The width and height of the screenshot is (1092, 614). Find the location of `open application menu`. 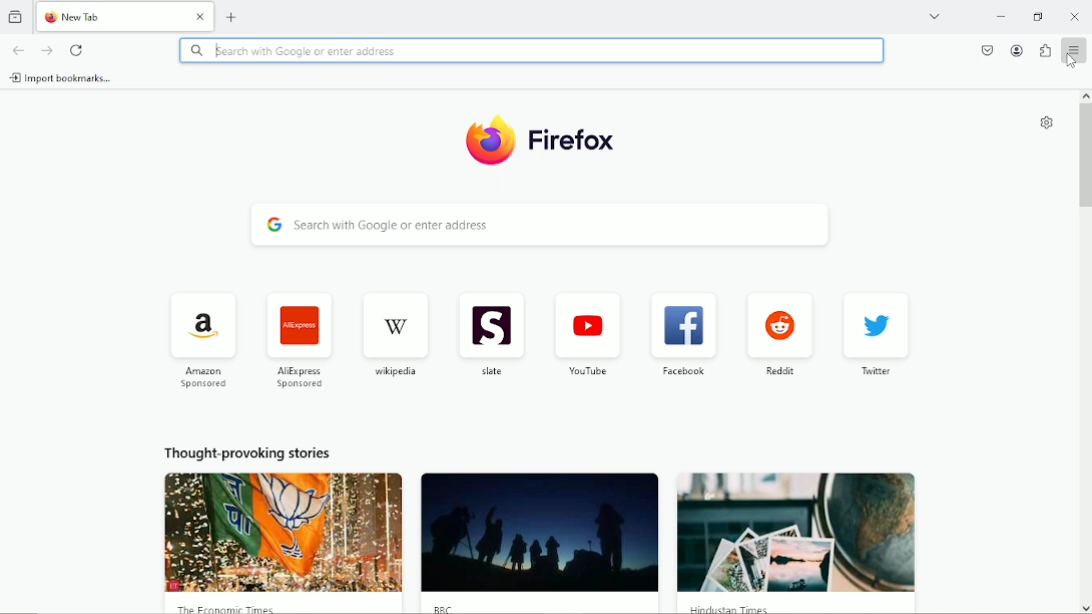

open application menu is located at coordinates (1074, 50).